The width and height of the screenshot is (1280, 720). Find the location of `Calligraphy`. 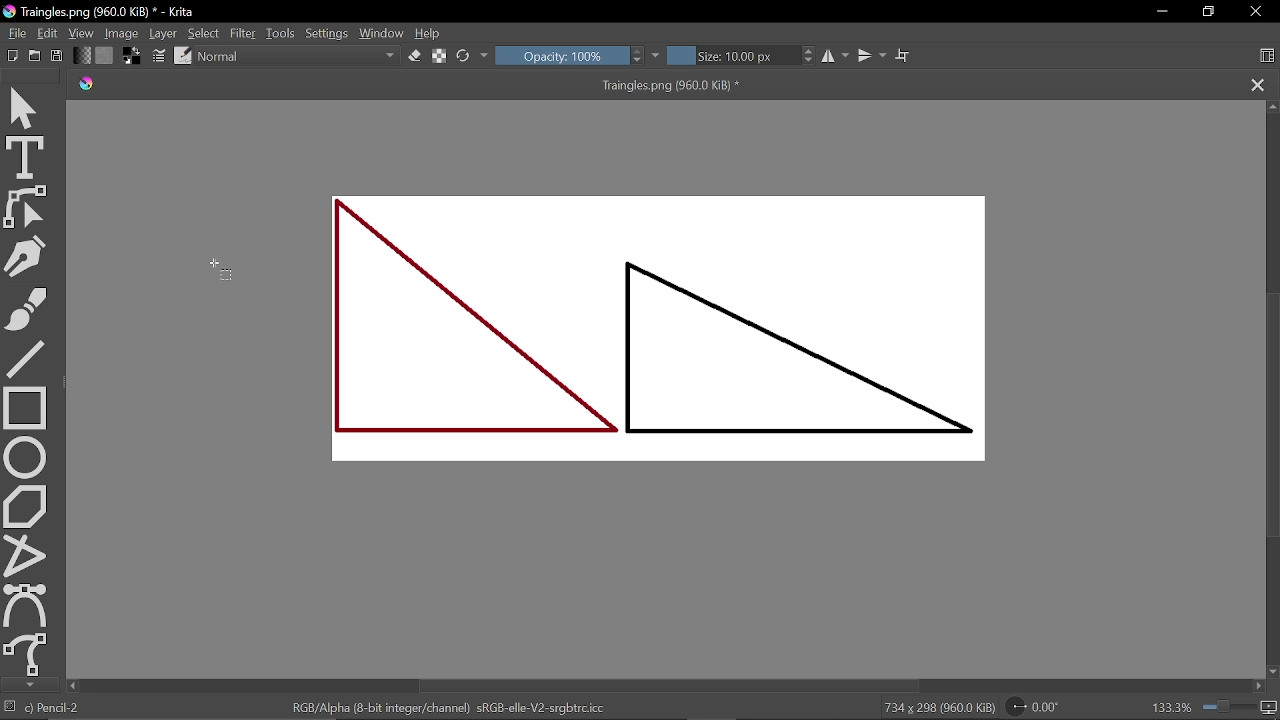

Calligraphy is located at coordinates (27, 256).